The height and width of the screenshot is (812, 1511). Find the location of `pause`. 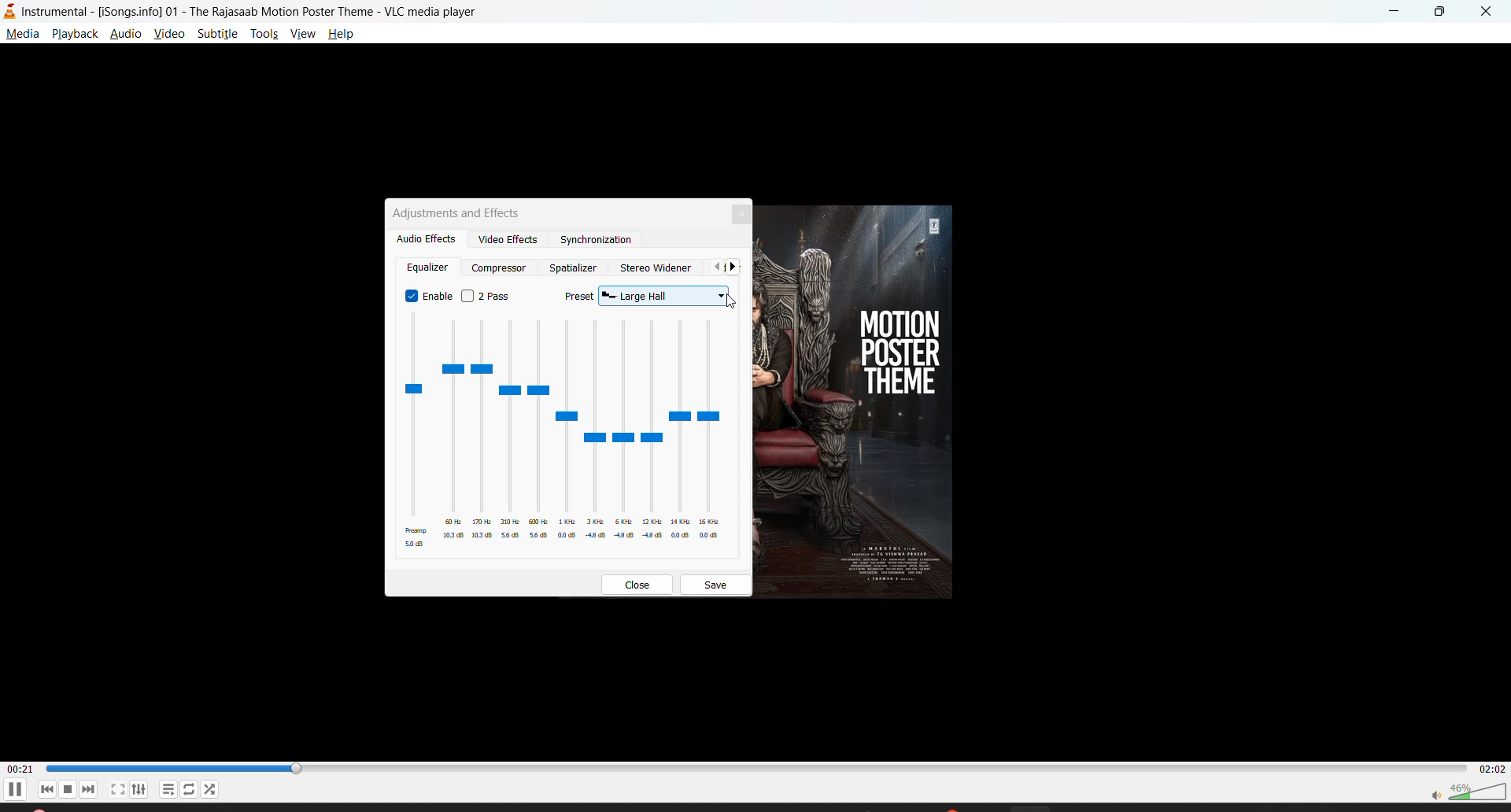

pause is located at coordinates (17, 792).